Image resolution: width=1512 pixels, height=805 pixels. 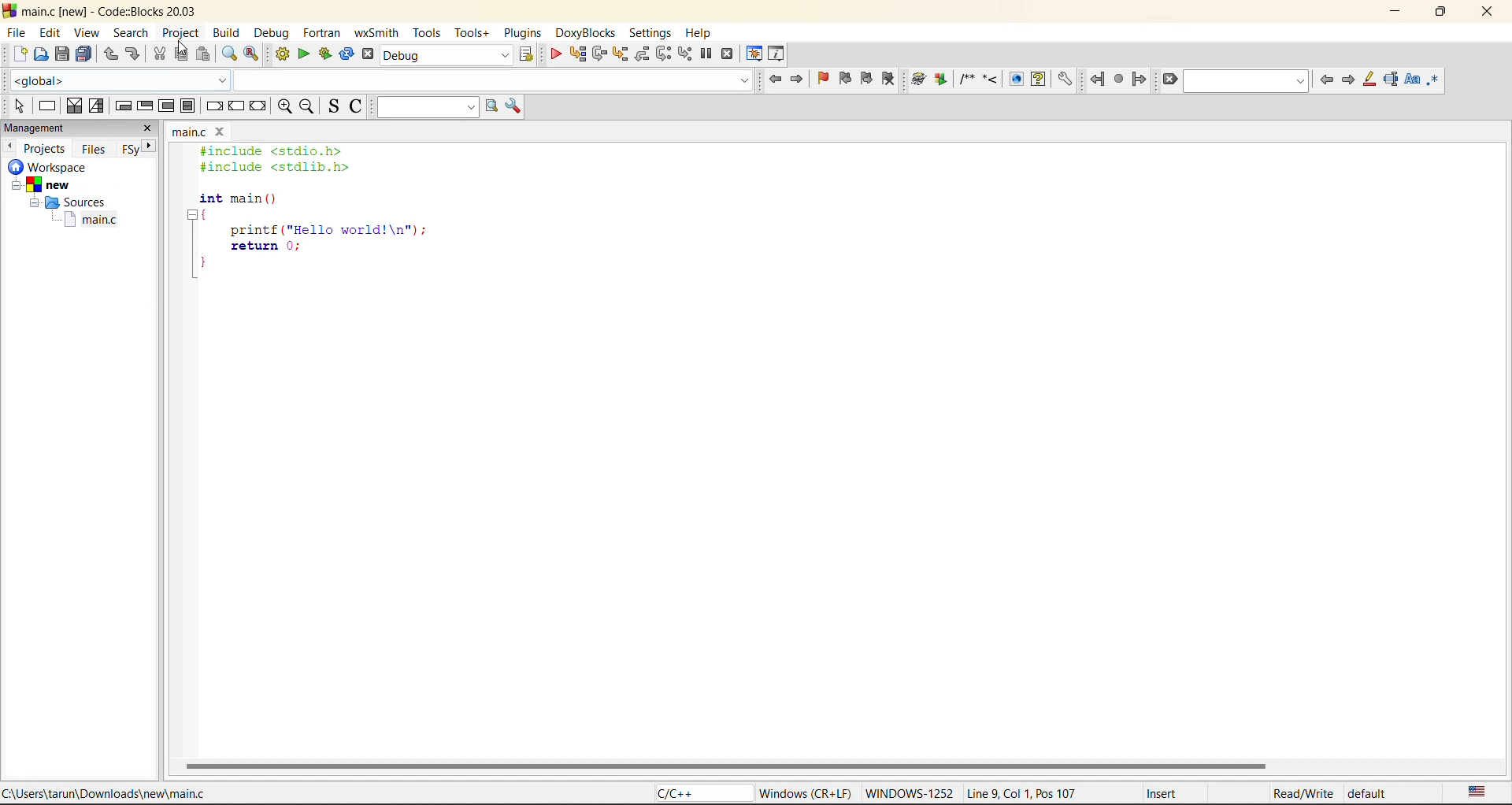 What do you see at coordinates (728, 55) in the screenshot?
I see `stop debugger` at bounding box center [728, 55].